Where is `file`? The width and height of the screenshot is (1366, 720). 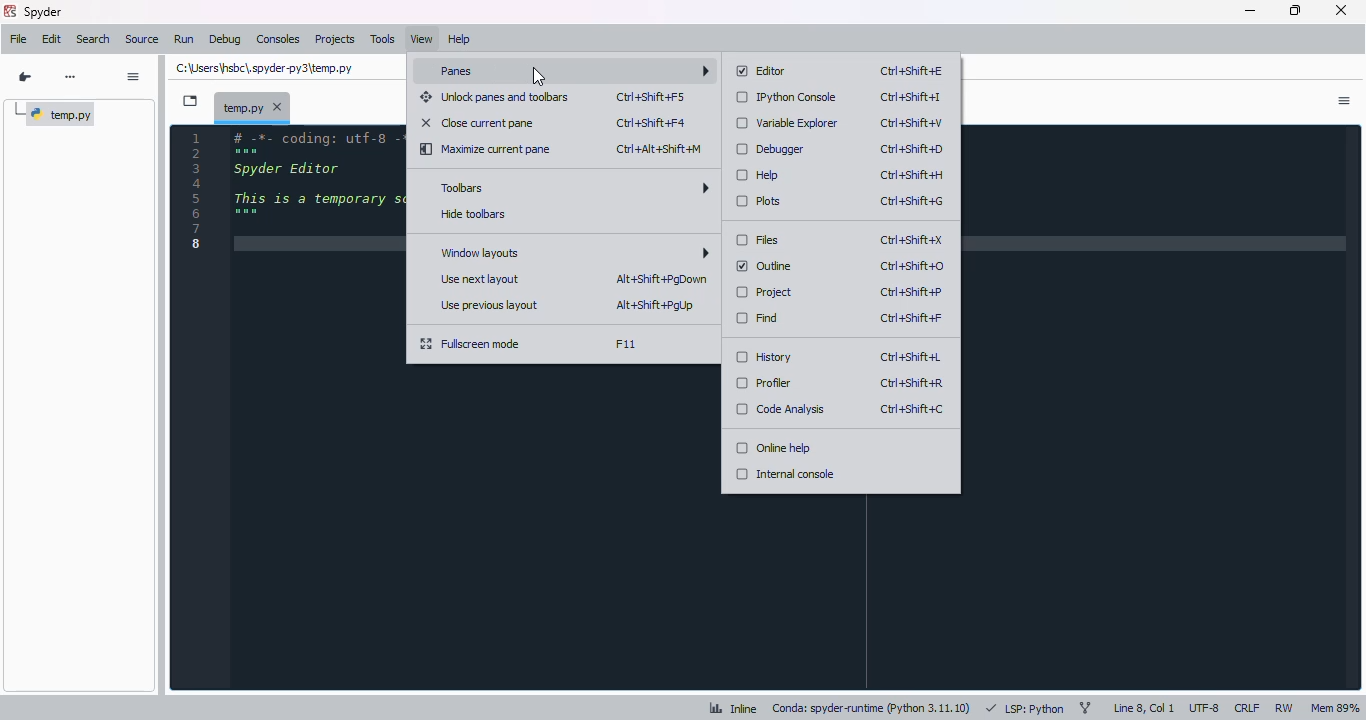
file is located at coordinates (19, 39).